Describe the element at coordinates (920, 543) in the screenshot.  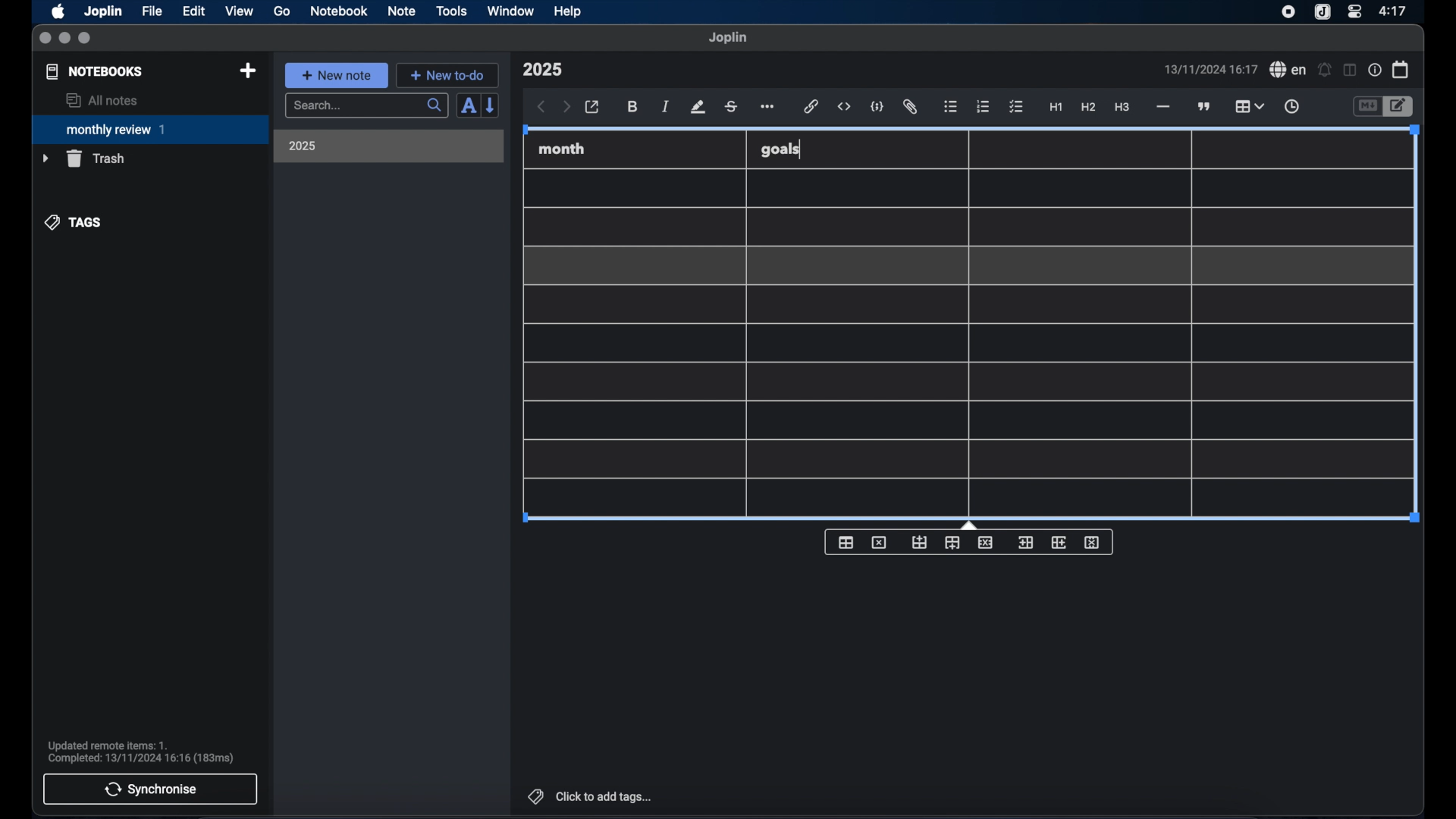
I see `insert row before` at that location.